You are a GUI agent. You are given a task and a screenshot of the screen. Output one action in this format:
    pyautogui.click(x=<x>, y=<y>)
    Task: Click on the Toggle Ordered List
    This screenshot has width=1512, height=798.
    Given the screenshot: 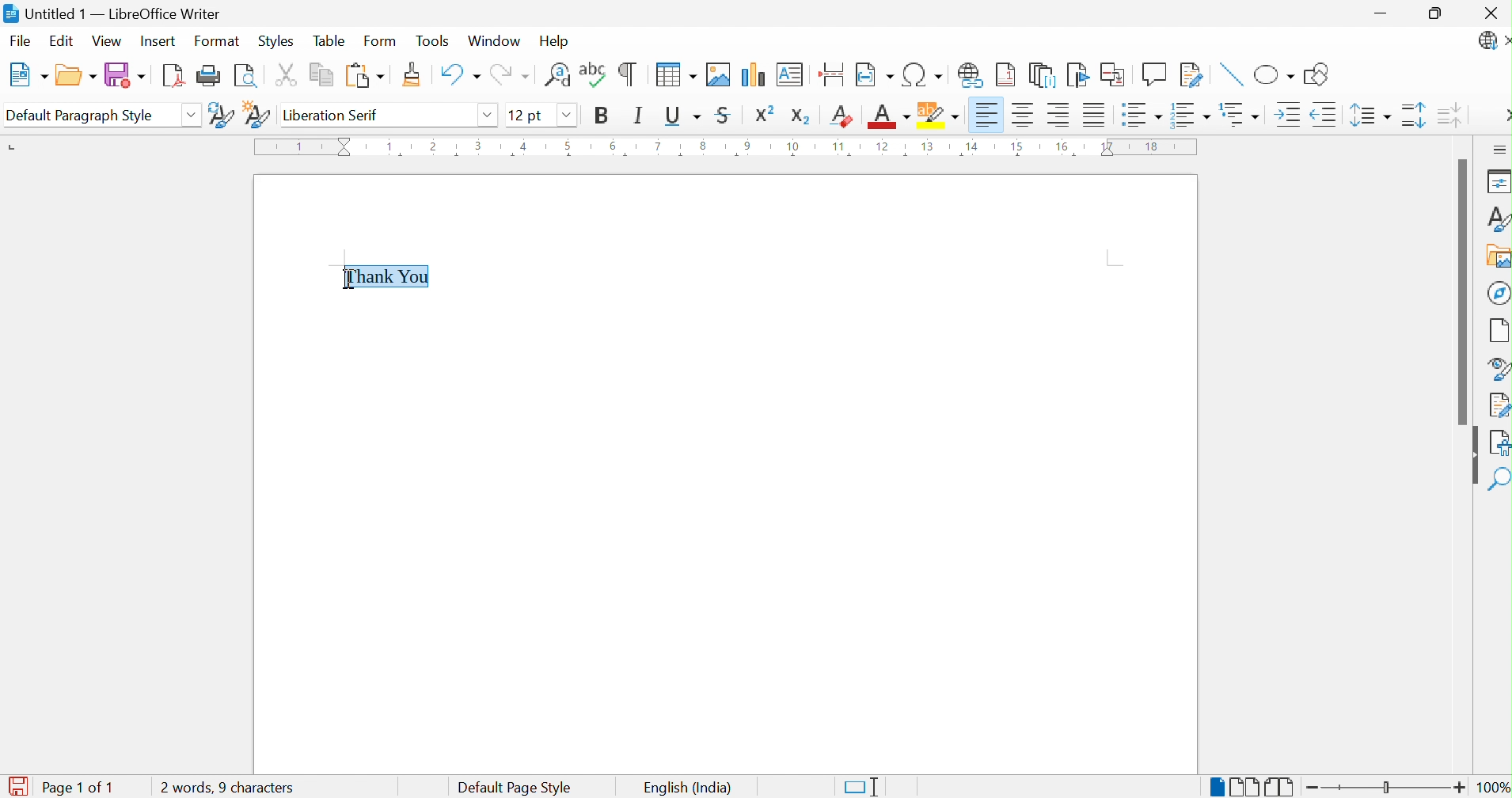 What is the action you would take?
    pyautogui.click(x=1189, y=114)
    